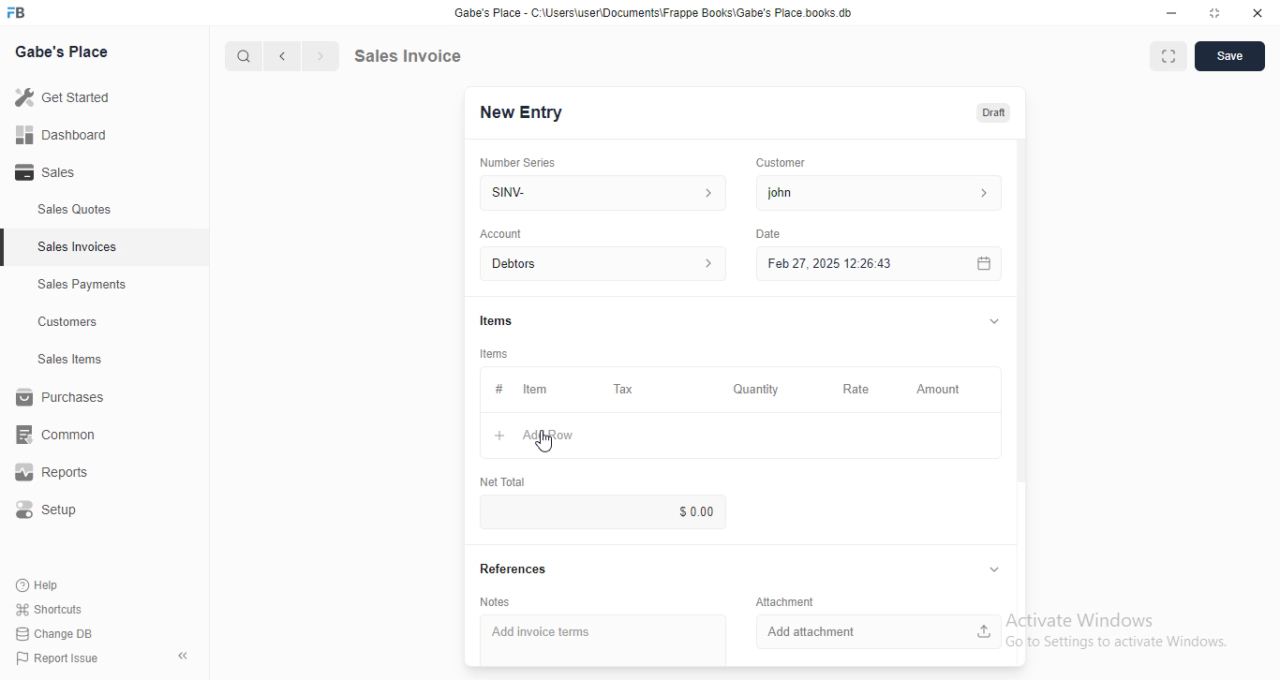 The image size is (1280, 680). Describe the element at coordinates (826, 266) in the screenshot. I see `Feb27, 2025 12:26:43 ` at that location.